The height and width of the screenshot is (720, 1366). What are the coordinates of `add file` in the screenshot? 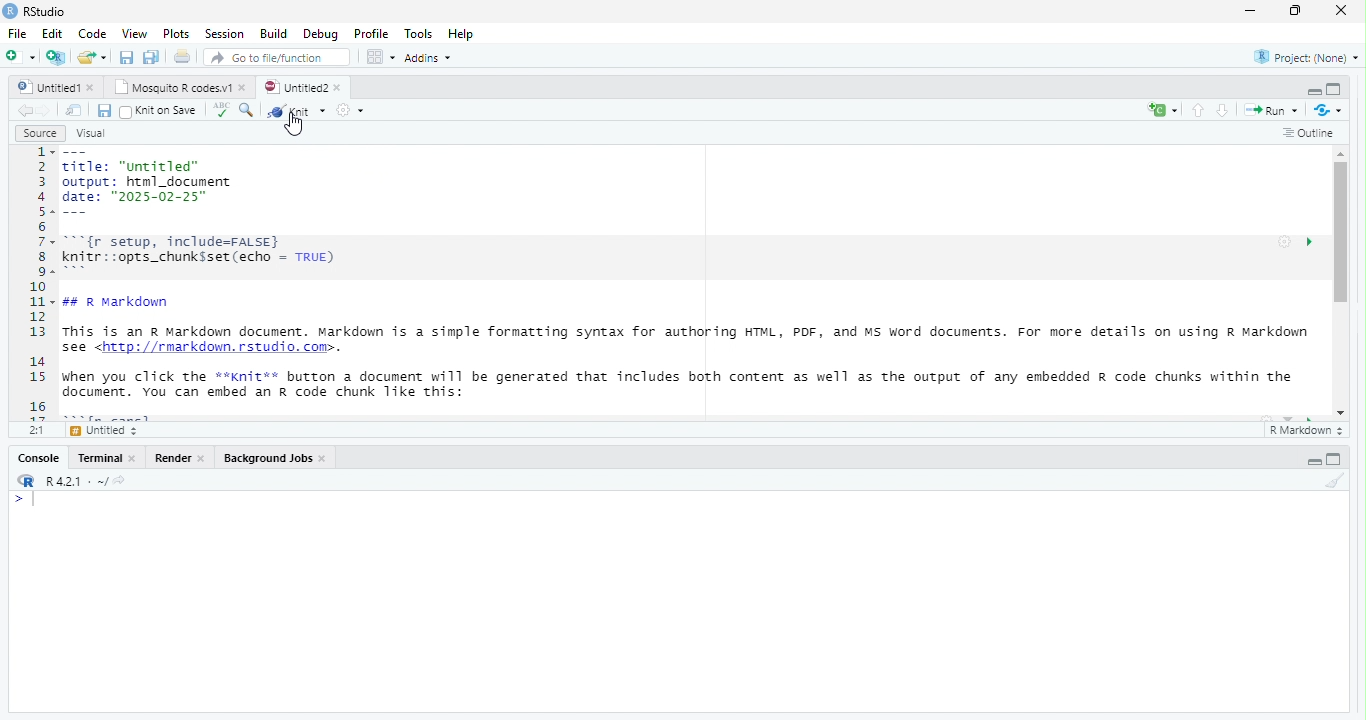 It's located at (57, 57).